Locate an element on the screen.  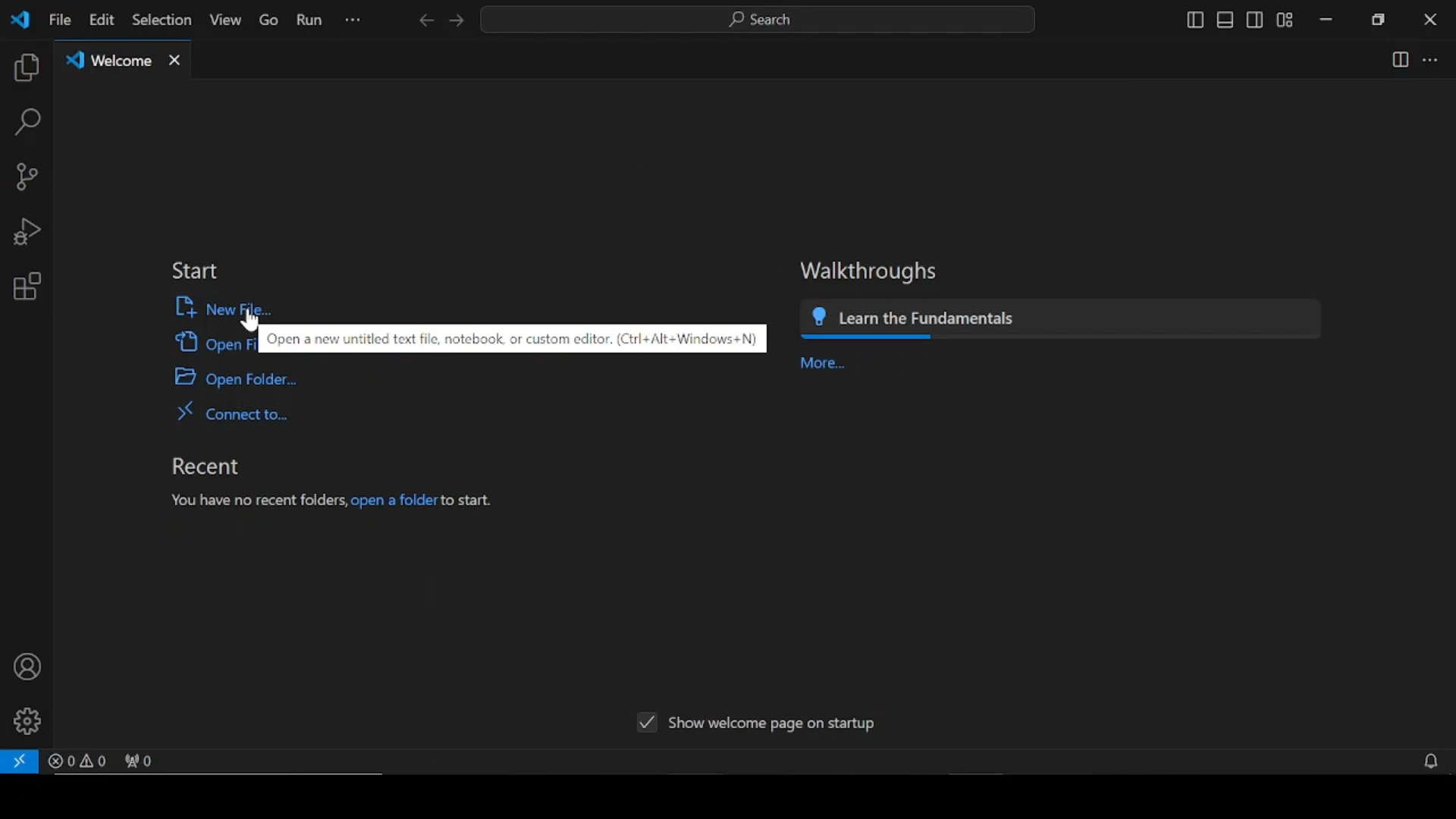
more actions is located at coordinates (1429, 60).